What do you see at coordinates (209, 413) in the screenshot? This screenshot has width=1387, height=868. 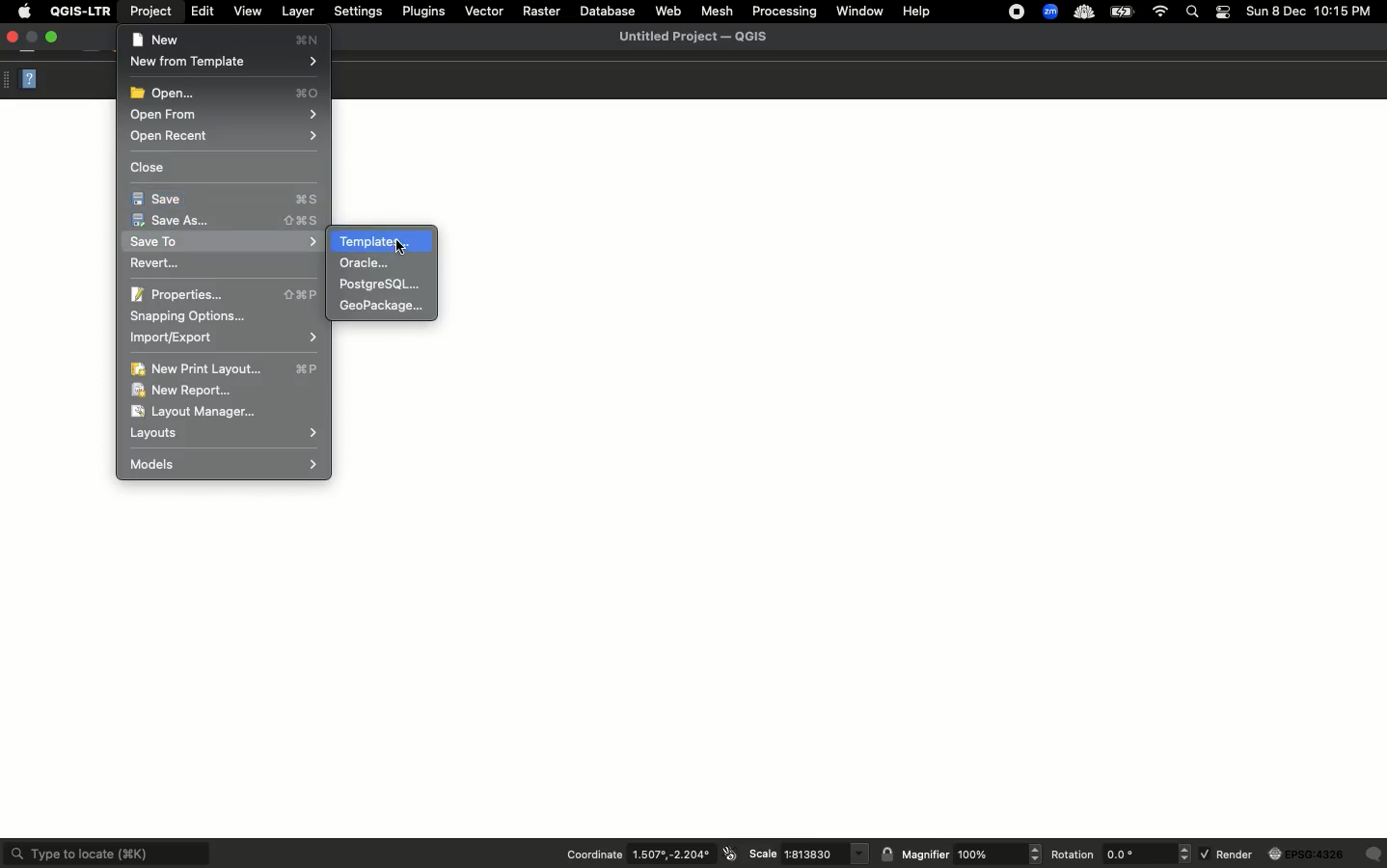 I see `Layout manager` at bounding box center [209, 413].